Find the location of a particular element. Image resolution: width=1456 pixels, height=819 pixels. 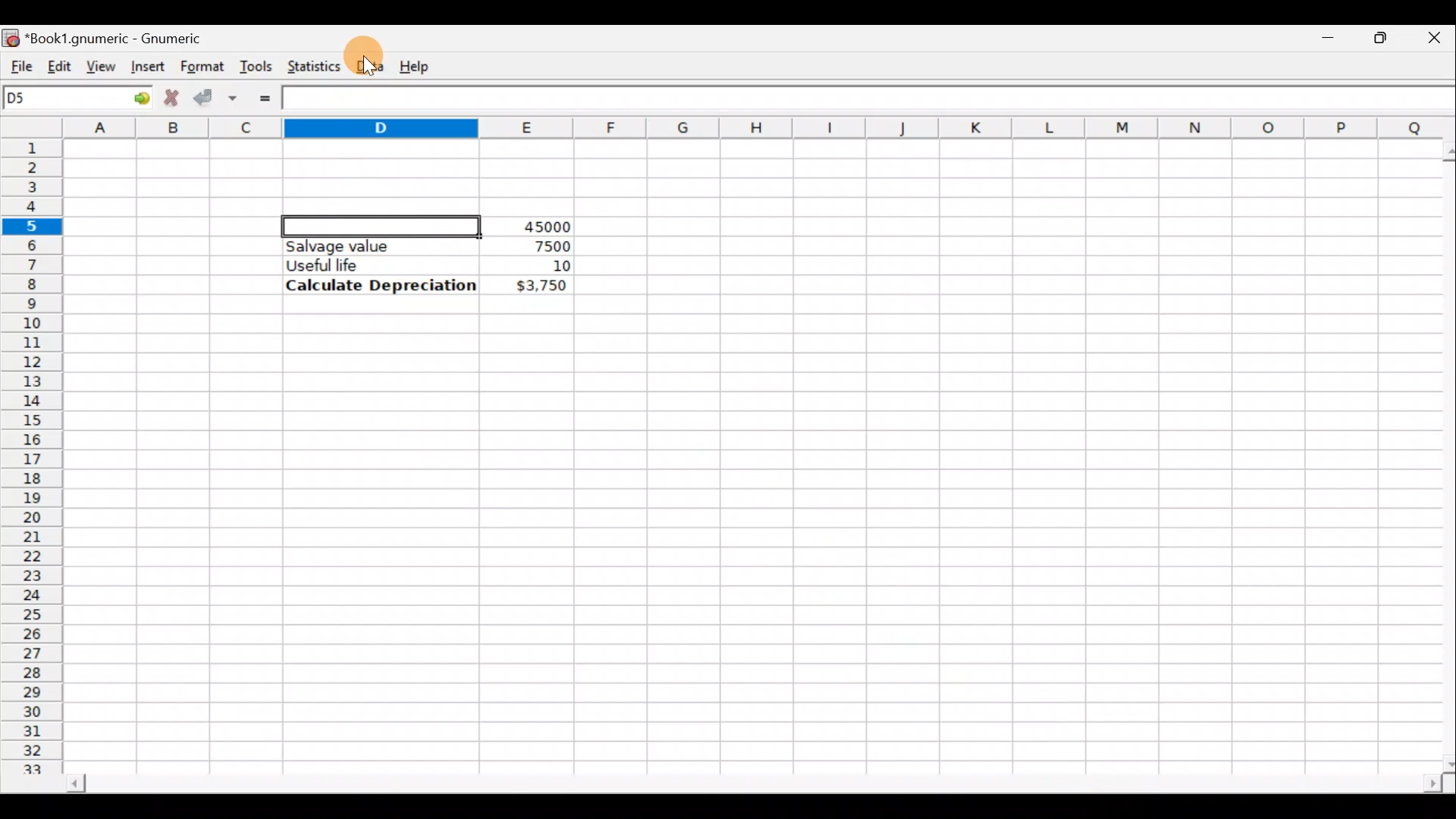

Formula bar is located at coordinates (871, 100).